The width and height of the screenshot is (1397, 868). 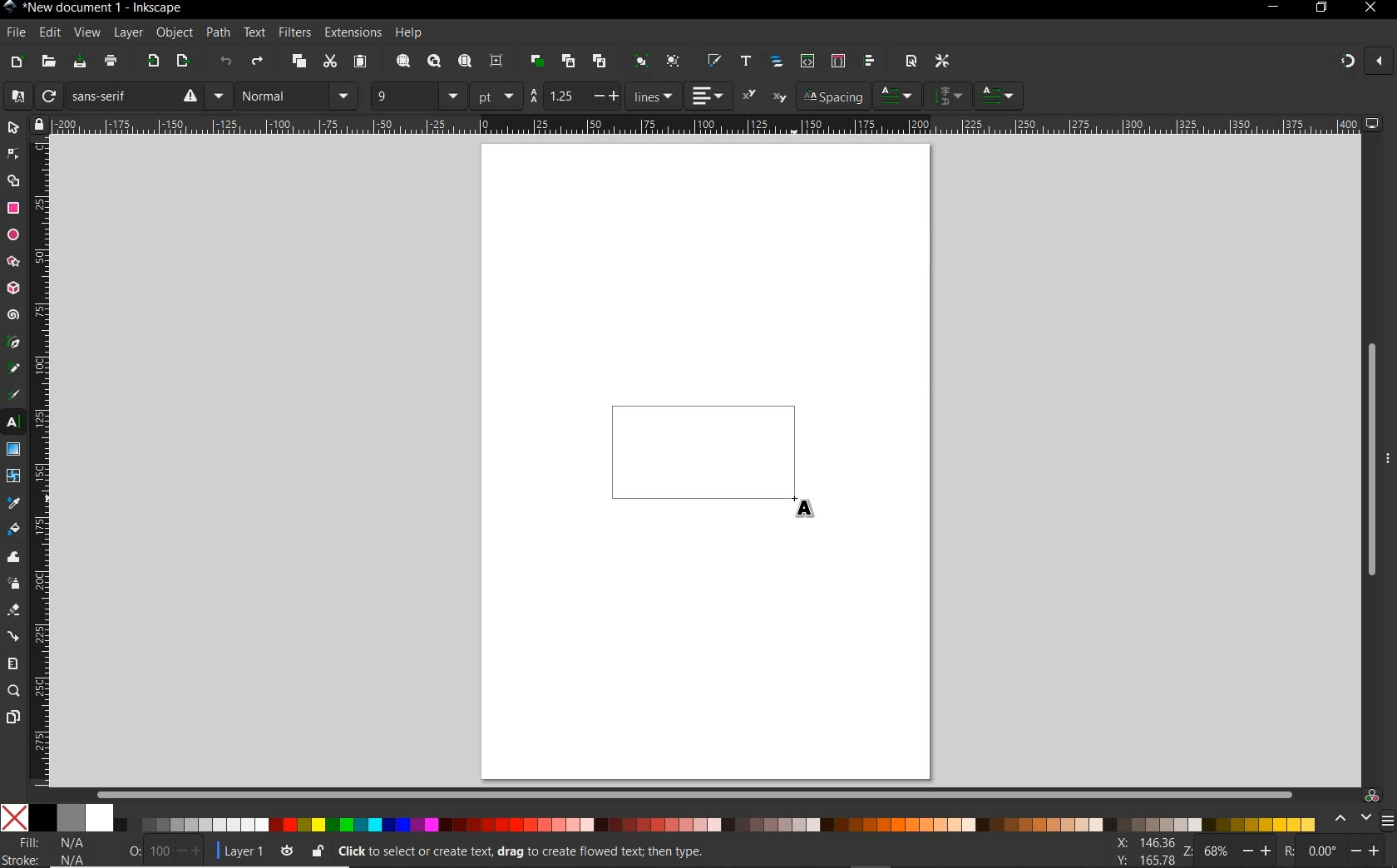 What do you see at coordinates (708, 96) in the screenshot?
I see `allignment` at bounding box center [708, 96].